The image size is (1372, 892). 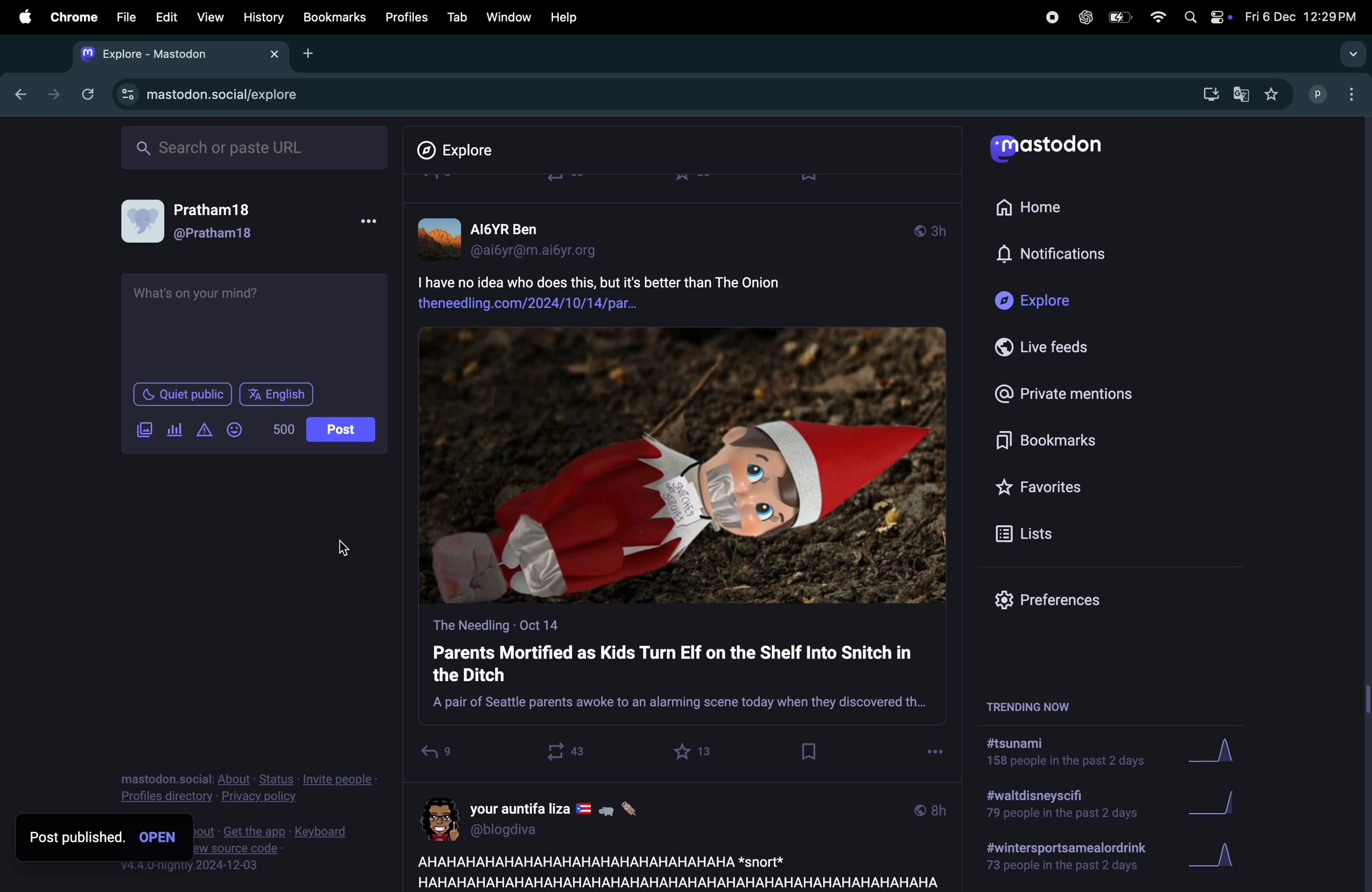 I want to click on post box, so click(x=682, y=670).